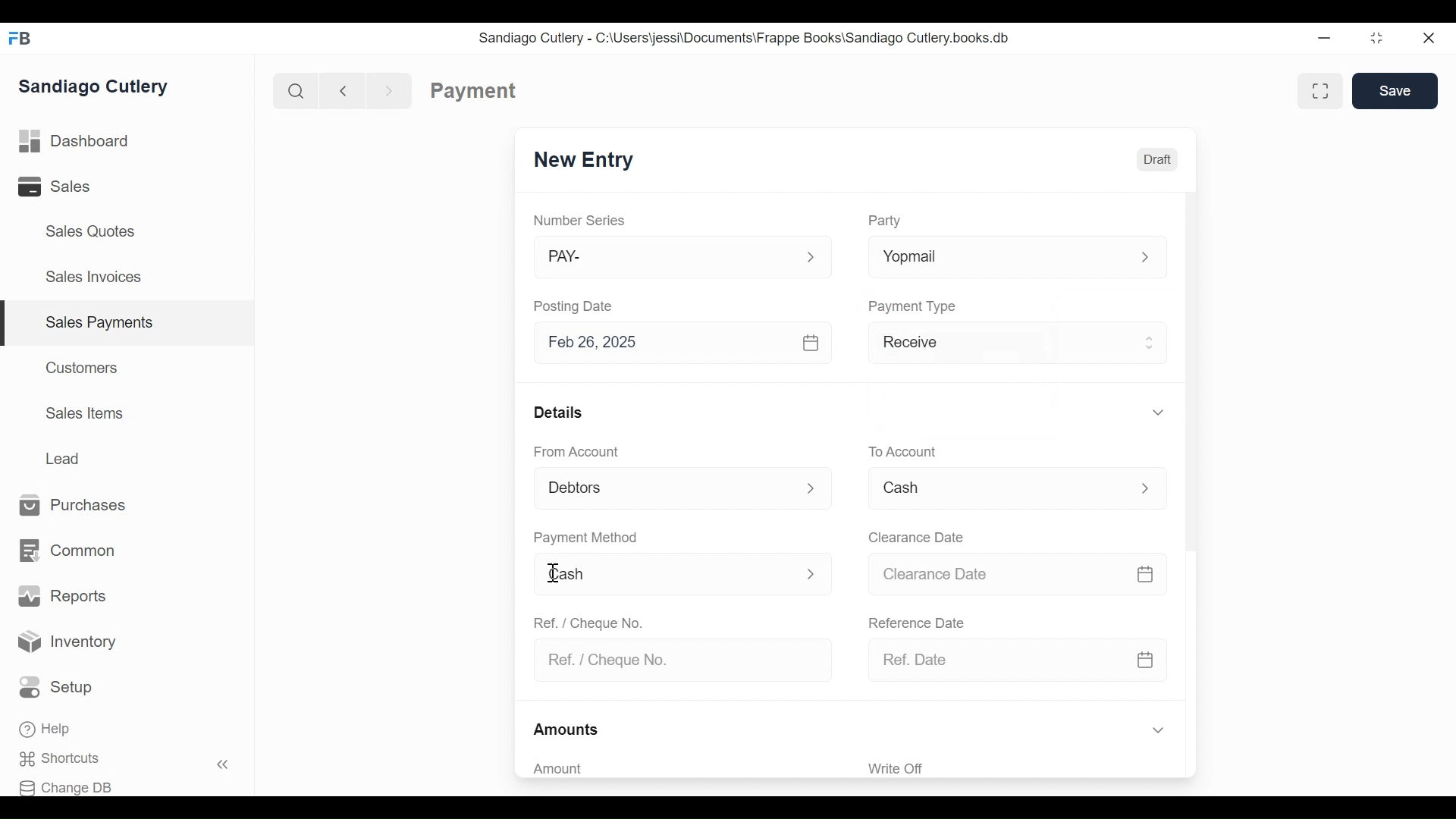  I want to click on Posting Date, so click(576, 306).